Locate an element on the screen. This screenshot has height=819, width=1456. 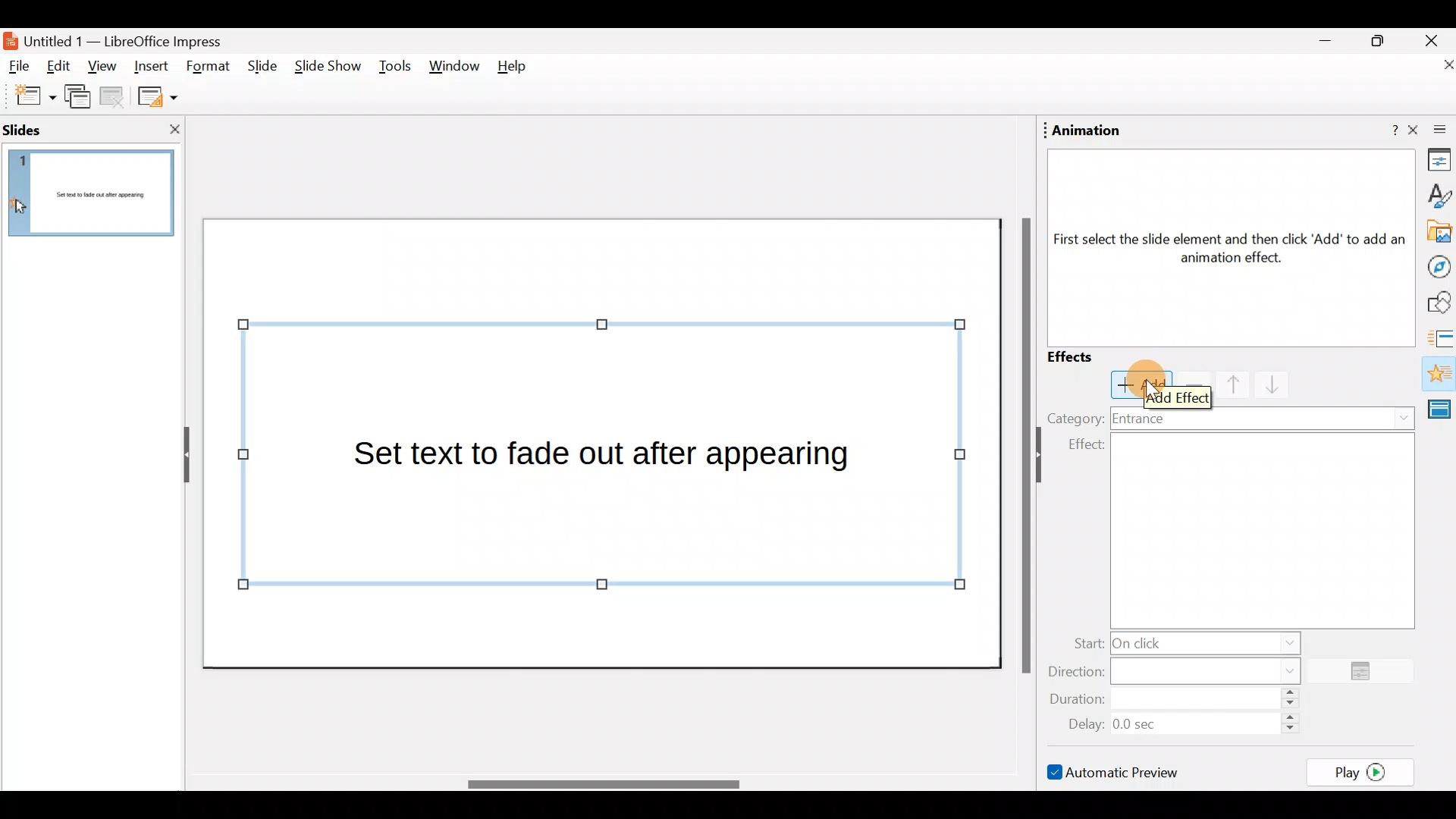
Animation is located at coordinates (1438, 375).